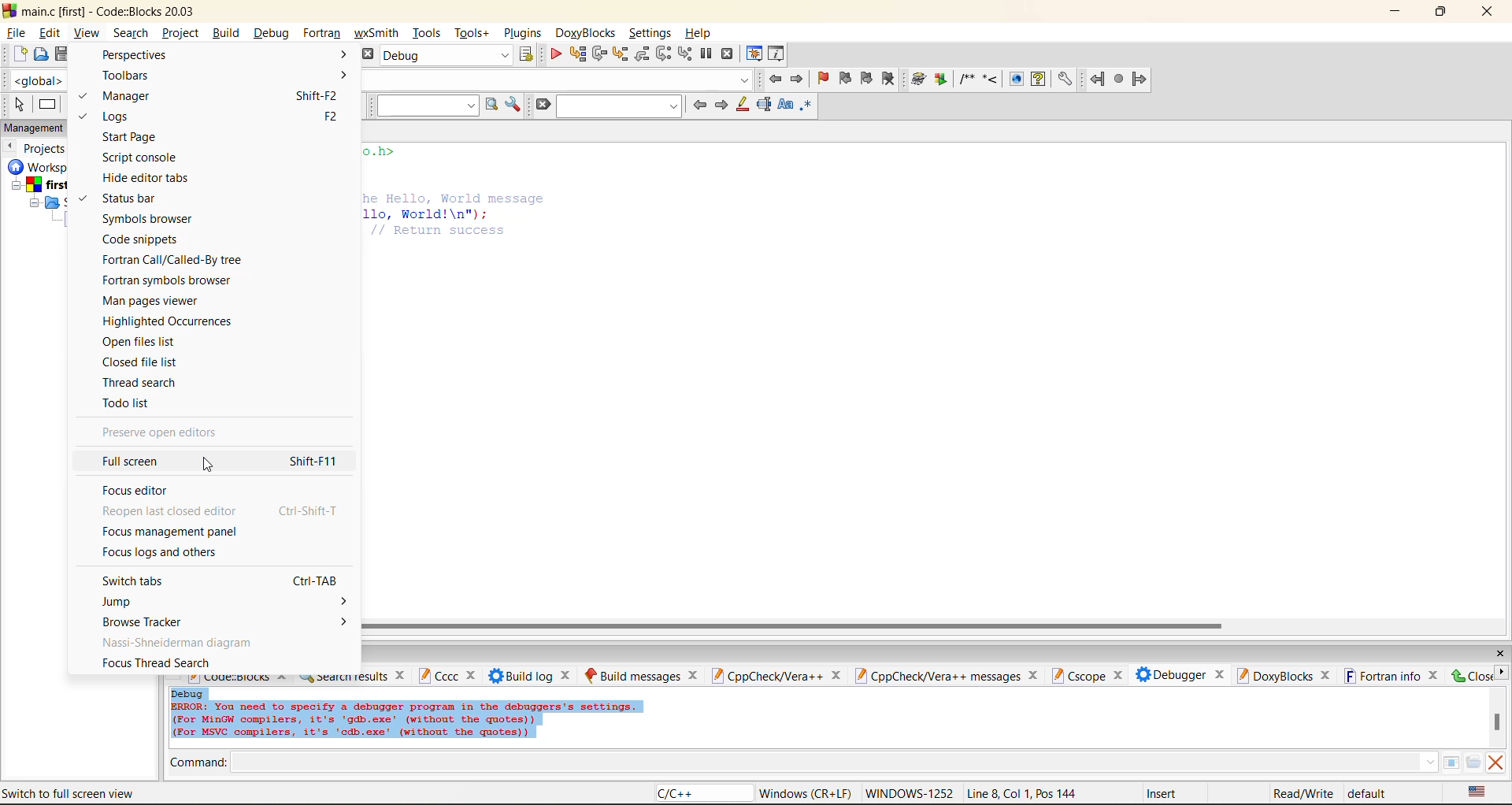 Image resolution: width=1512 pixels, height=805 pixels. I want to click on symbols browser, so click(154, 219).